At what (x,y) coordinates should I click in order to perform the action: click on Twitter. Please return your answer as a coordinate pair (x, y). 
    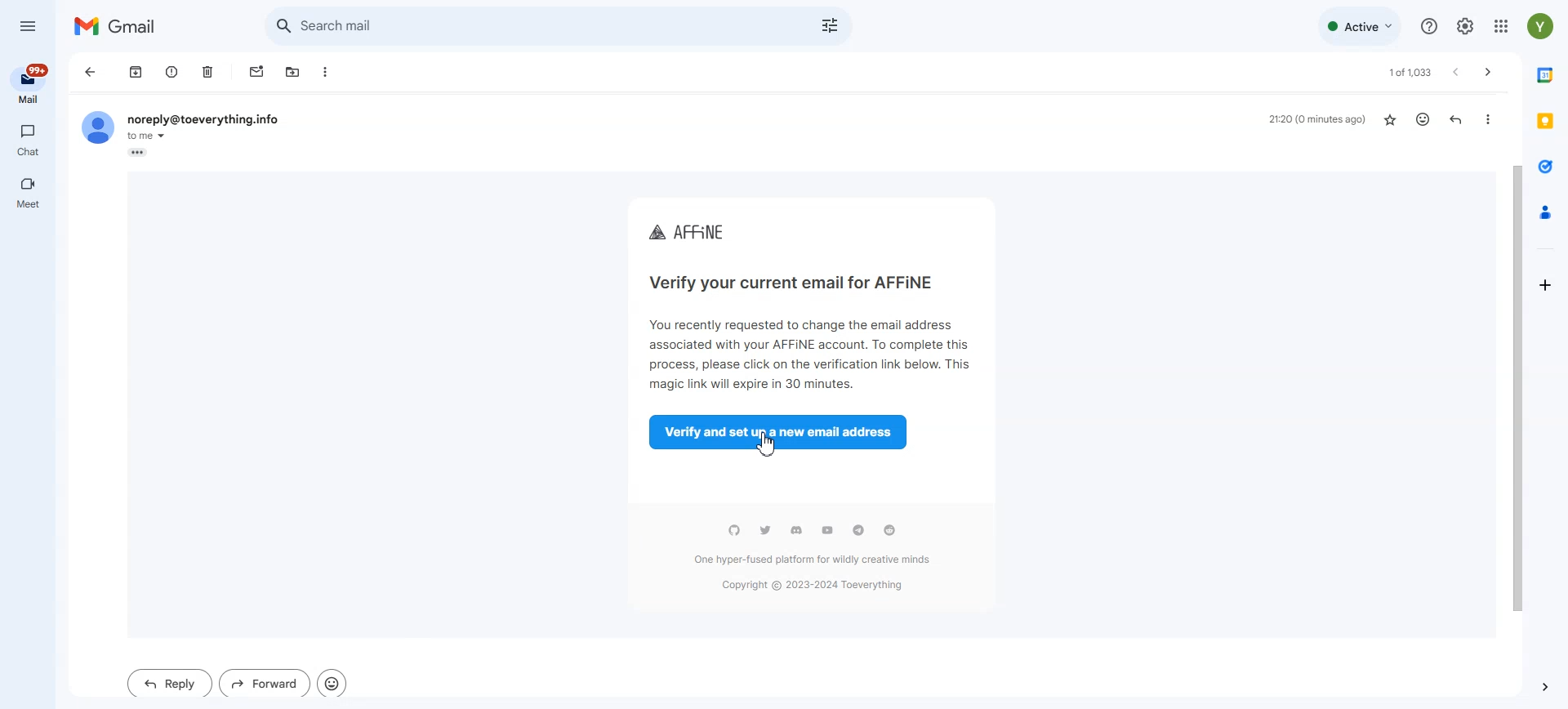
    Looking at the image, I should click on (765, 530).